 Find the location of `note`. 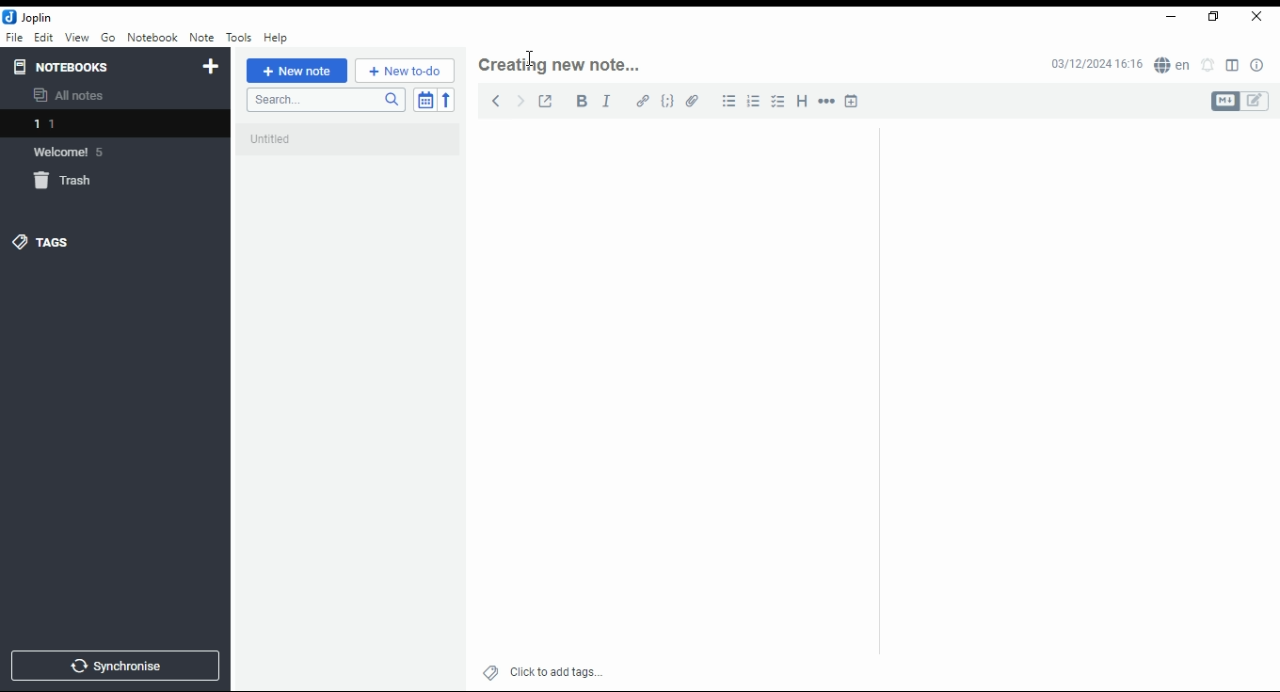

note is located at coordinates (201, 37).